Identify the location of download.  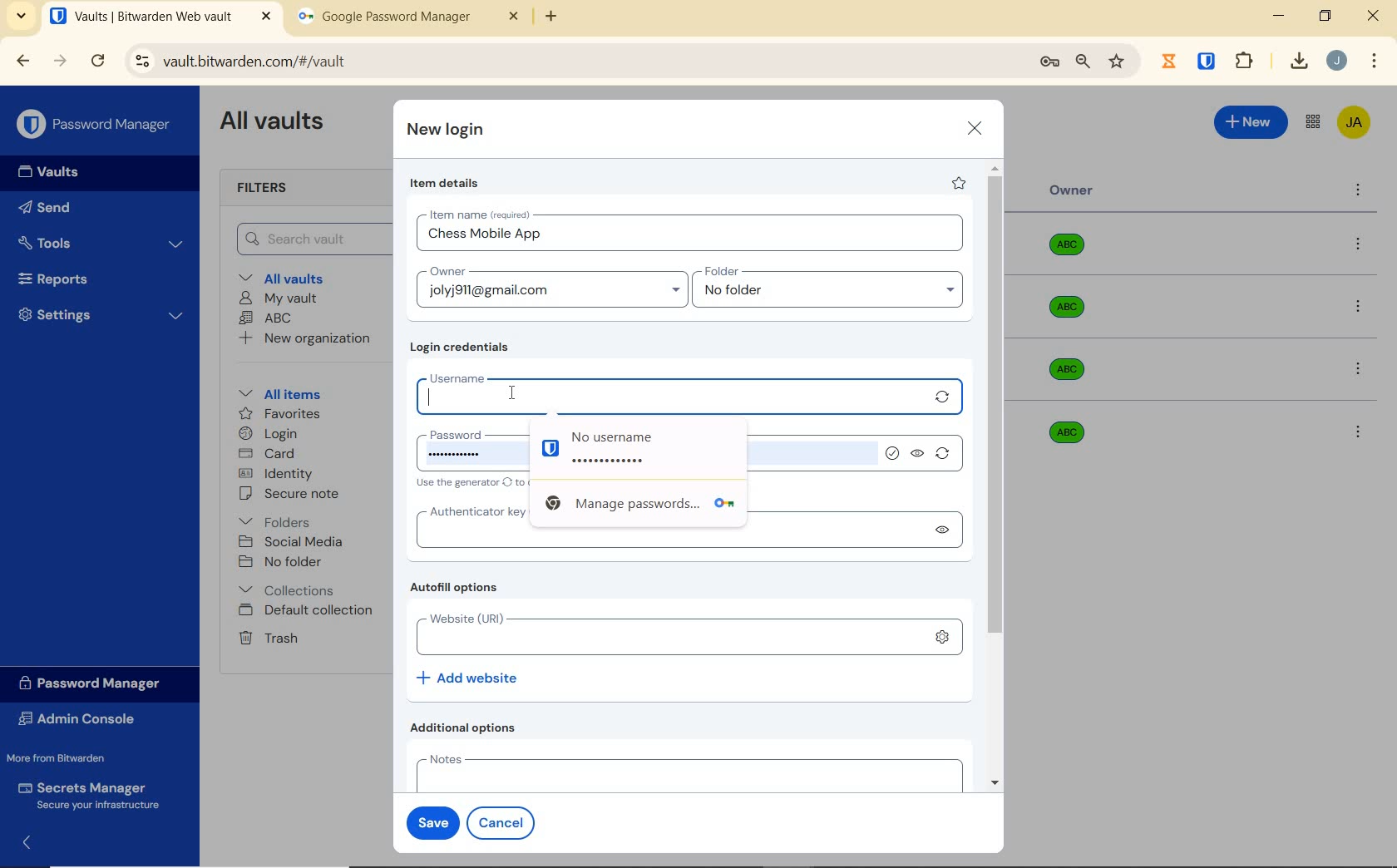
(1298, 61).